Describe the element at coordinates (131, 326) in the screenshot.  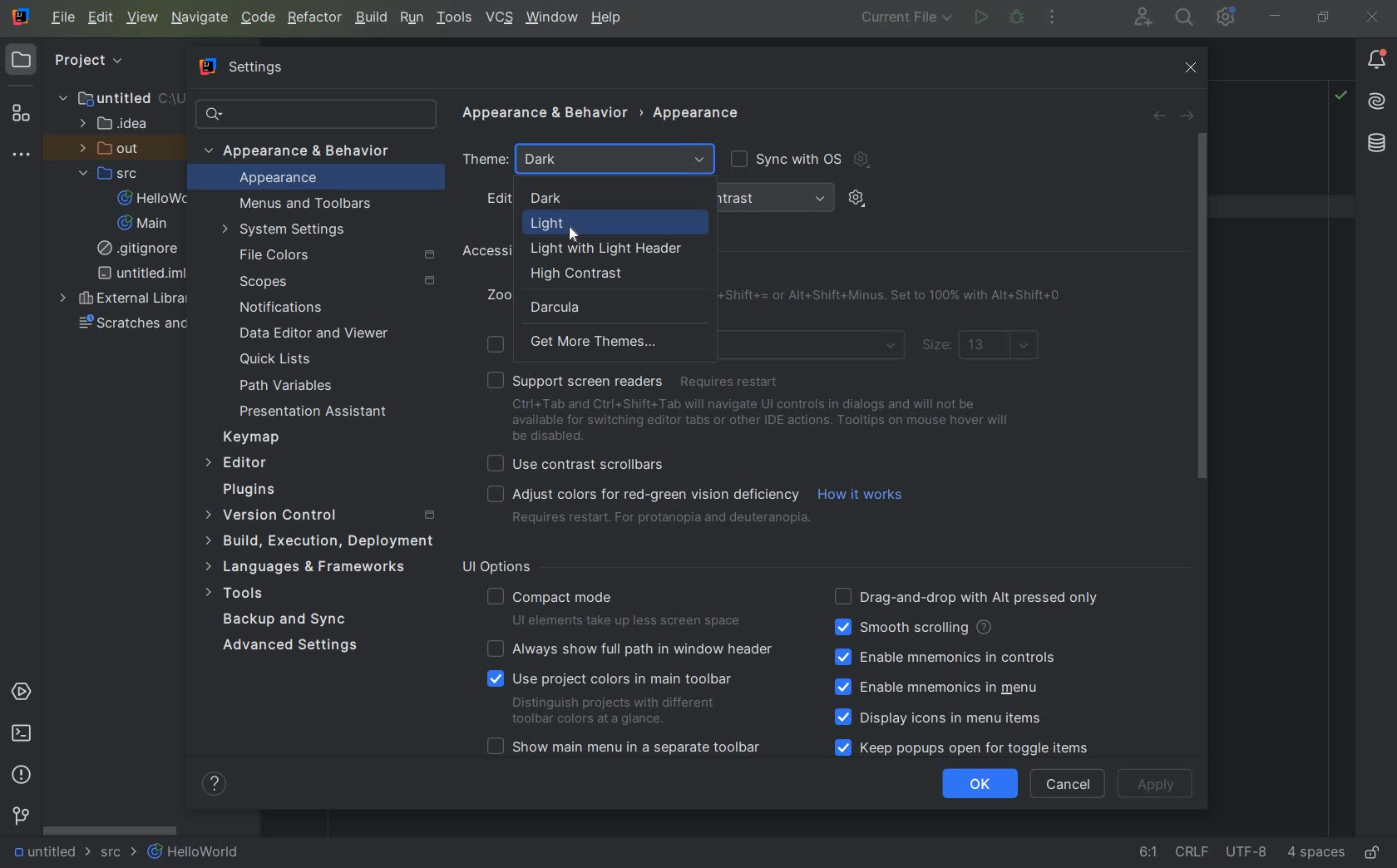
I see `SCRATCHES AND CONSOLES` at that location.